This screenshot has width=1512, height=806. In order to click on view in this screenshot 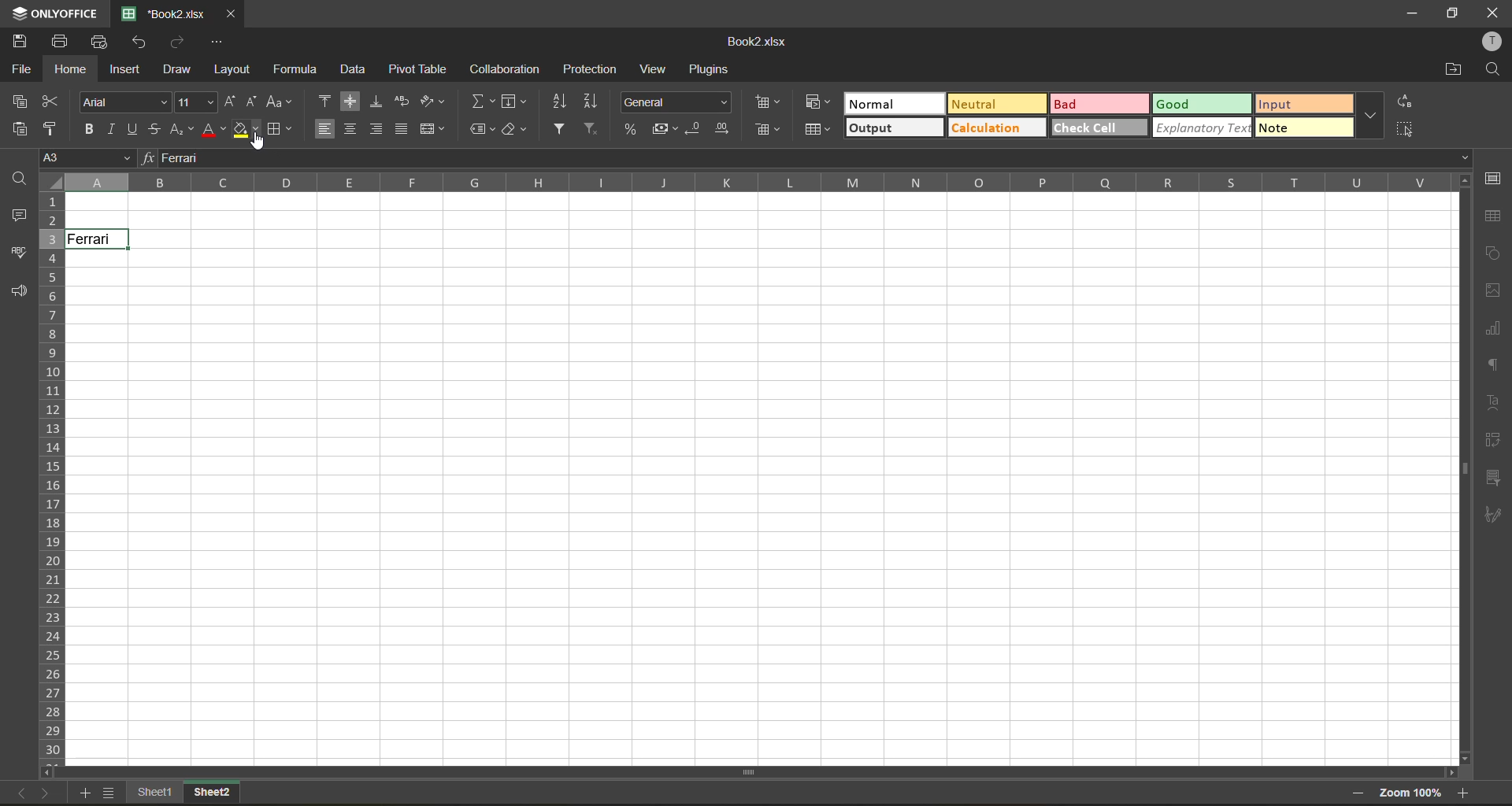, I will do `click(653, 70)`.